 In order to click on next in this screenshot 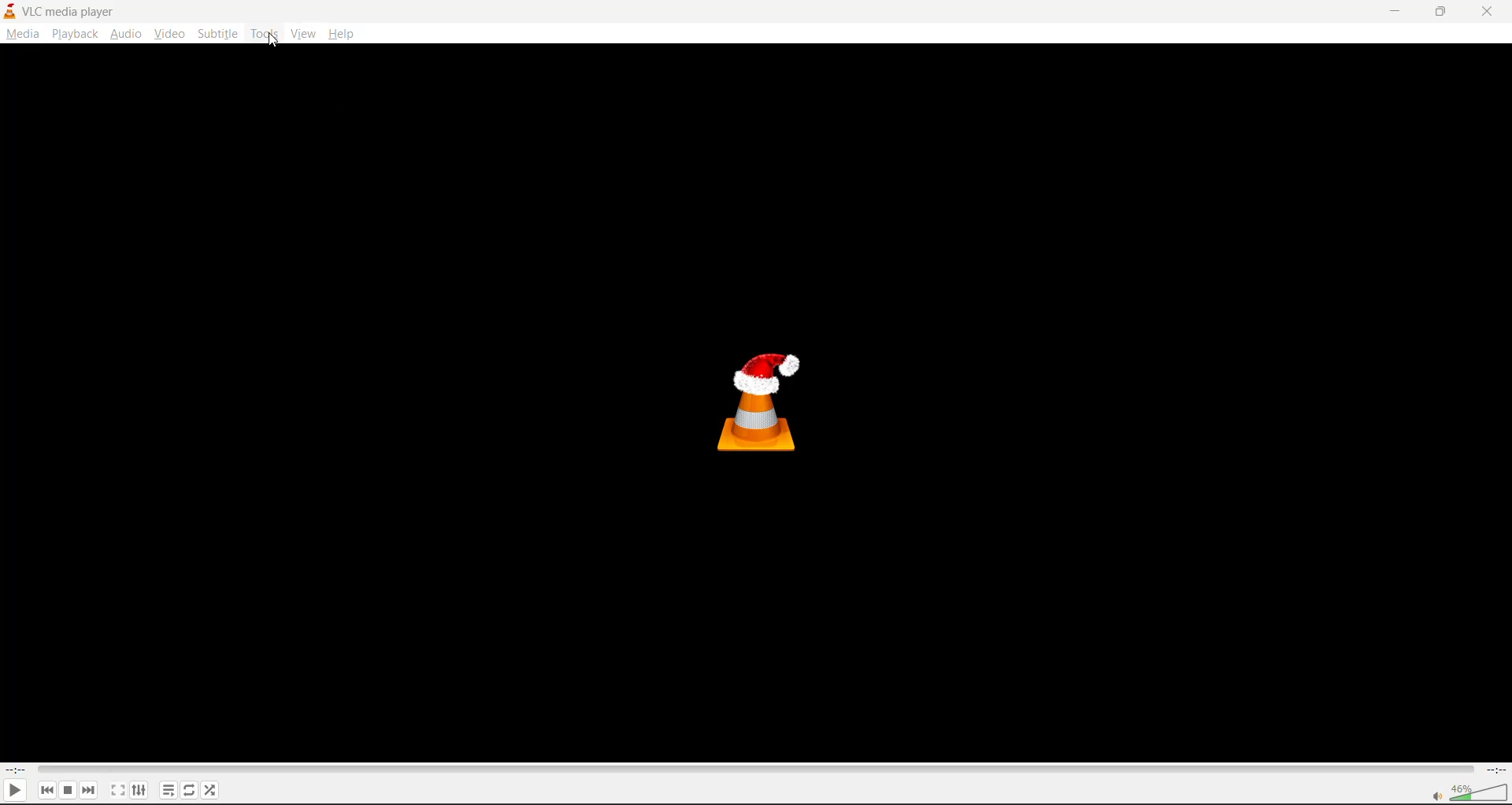, I will do `click(92, 789)`.